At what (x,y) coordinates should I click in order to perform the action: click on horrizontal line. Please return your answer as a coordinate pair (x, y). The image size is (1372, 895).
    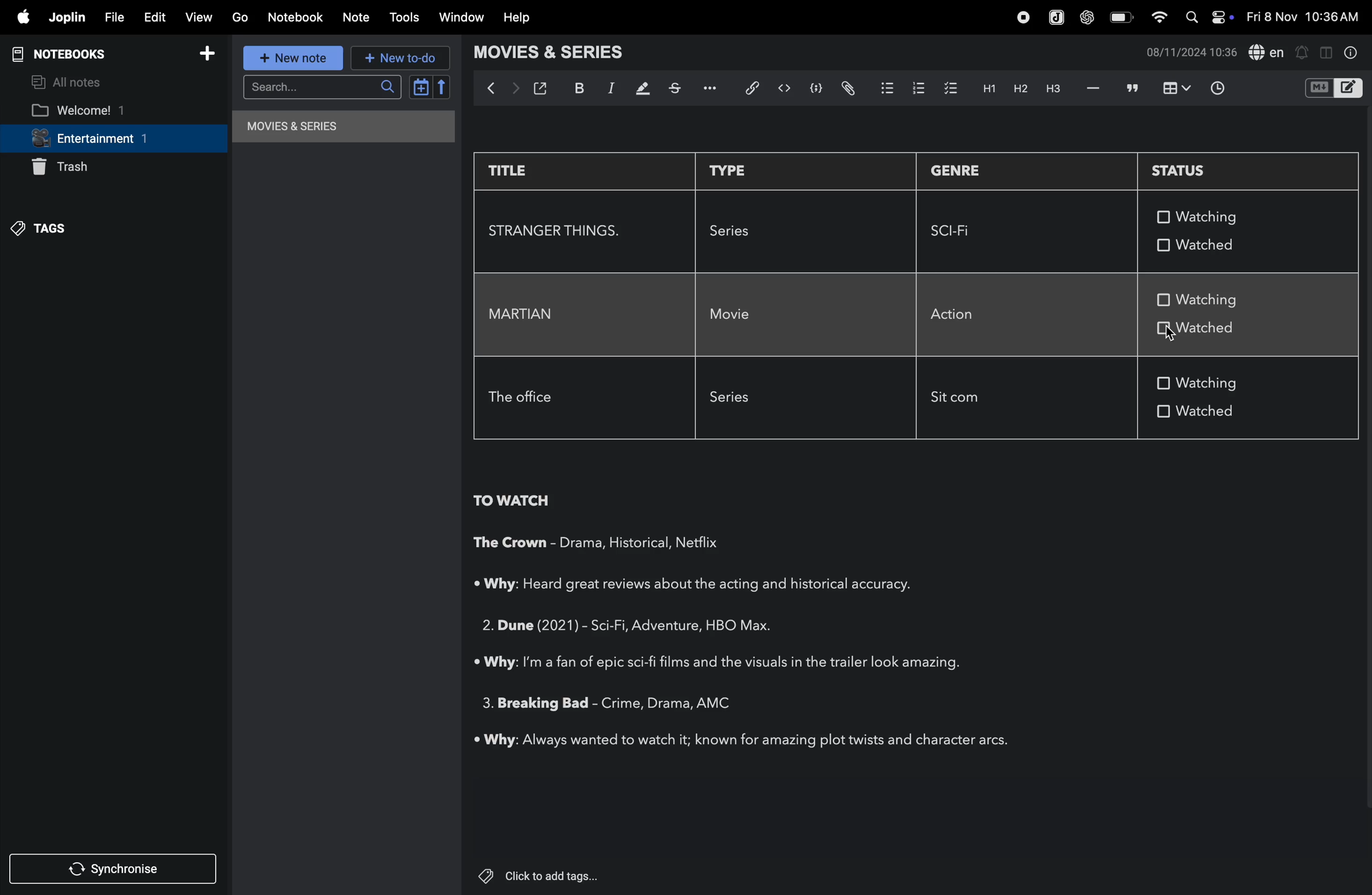
    Looking at the image, I should click on (1092, 89).